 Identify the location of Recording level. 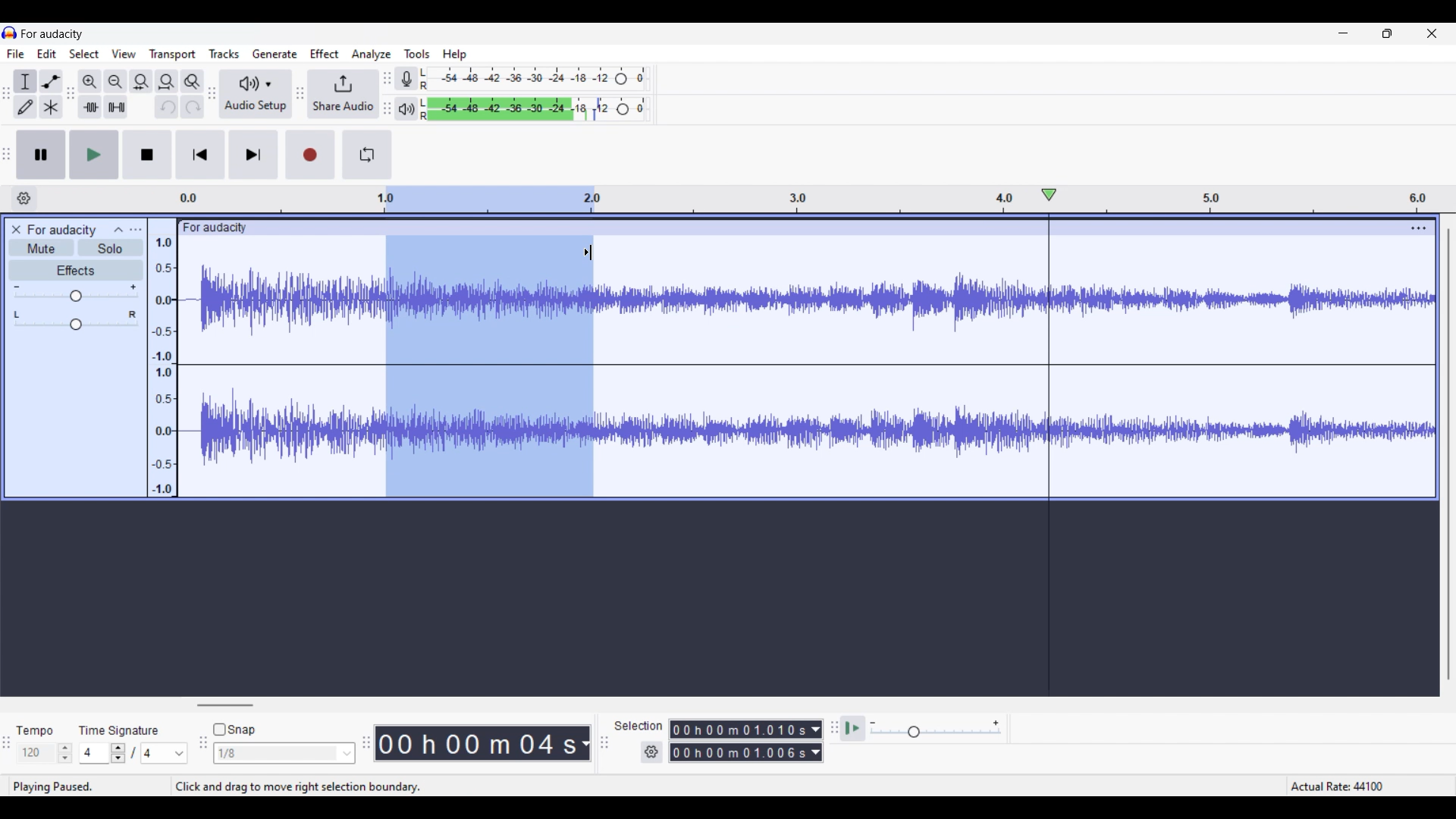
(535, 79).